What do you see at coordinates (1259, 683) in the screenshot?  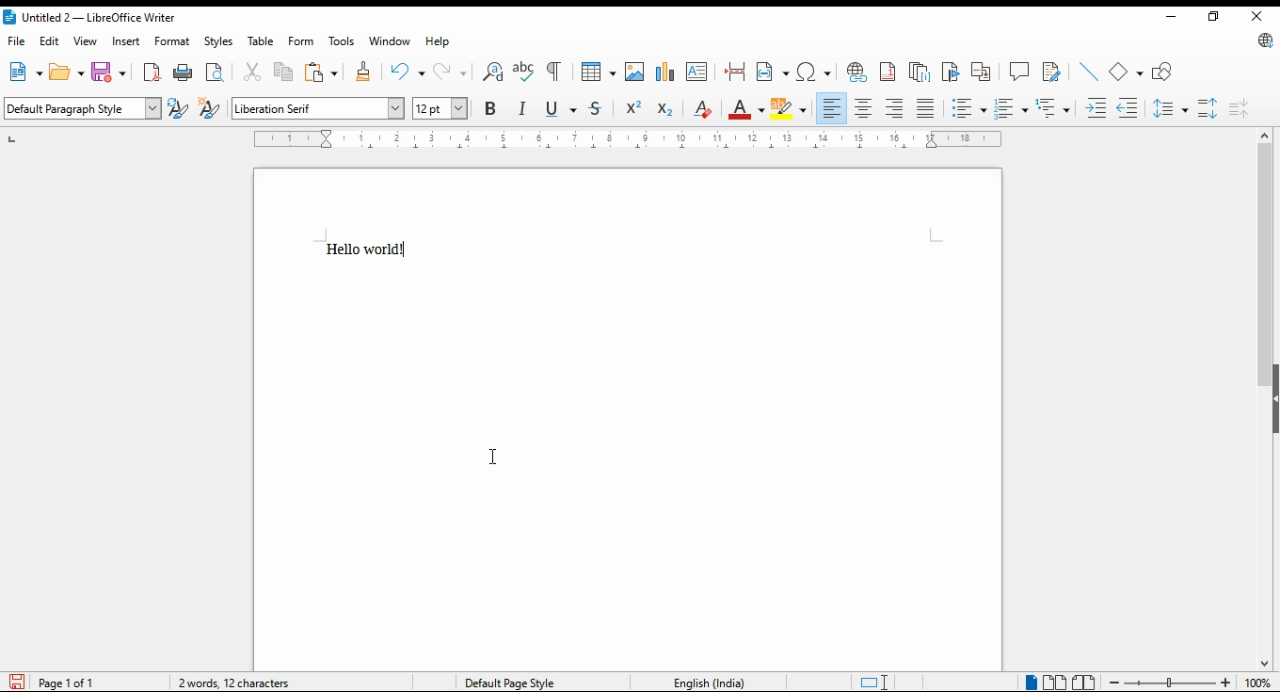 I see `zoom factor` at bounding box center [1259, 683].